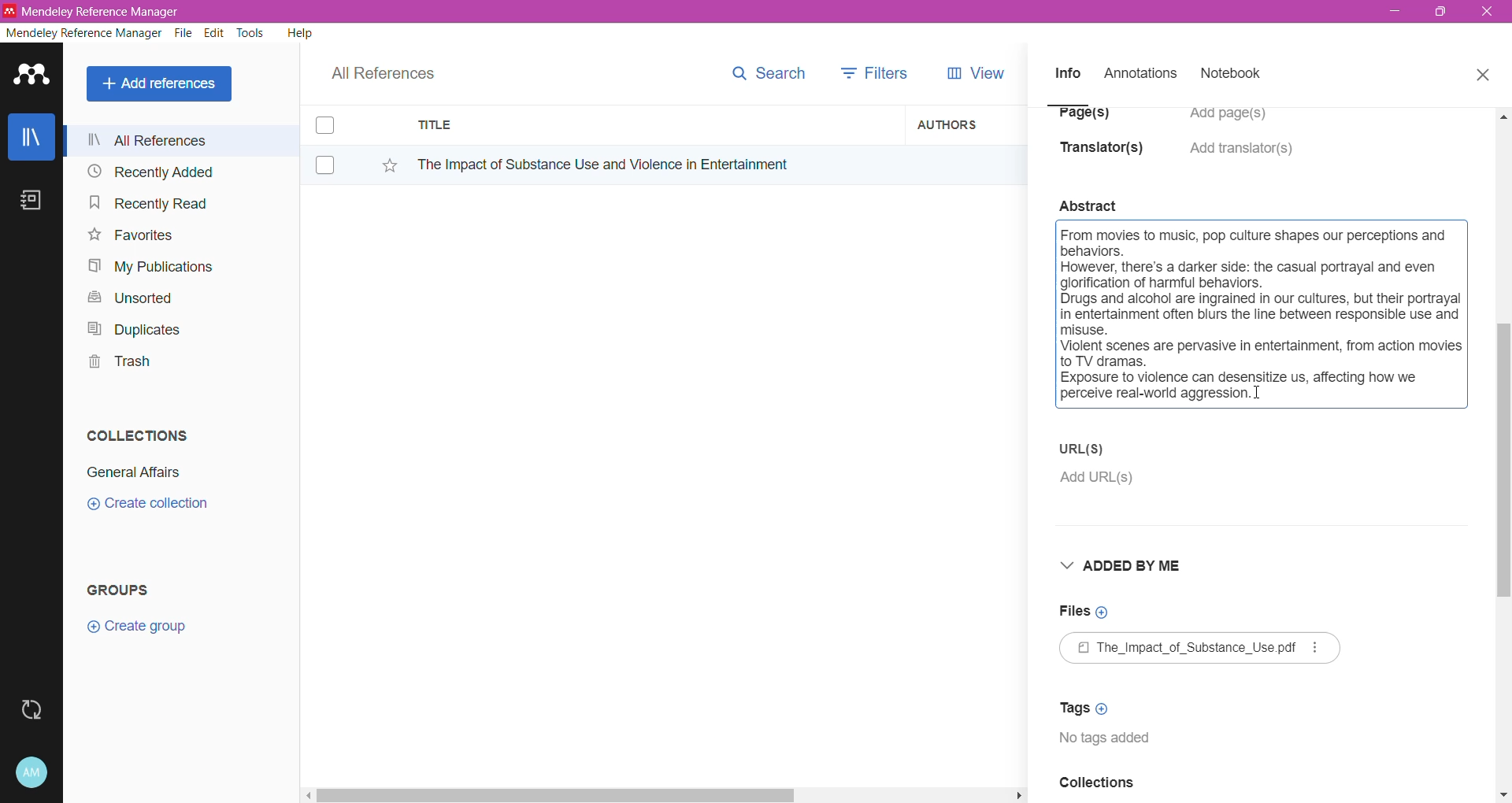 Image resolution: width=1512 pixels, height=803 pixels. What do you see at coordinates (38, 708) in the screenshot?
I see `Last Sync` at bounding box center [38, 708].